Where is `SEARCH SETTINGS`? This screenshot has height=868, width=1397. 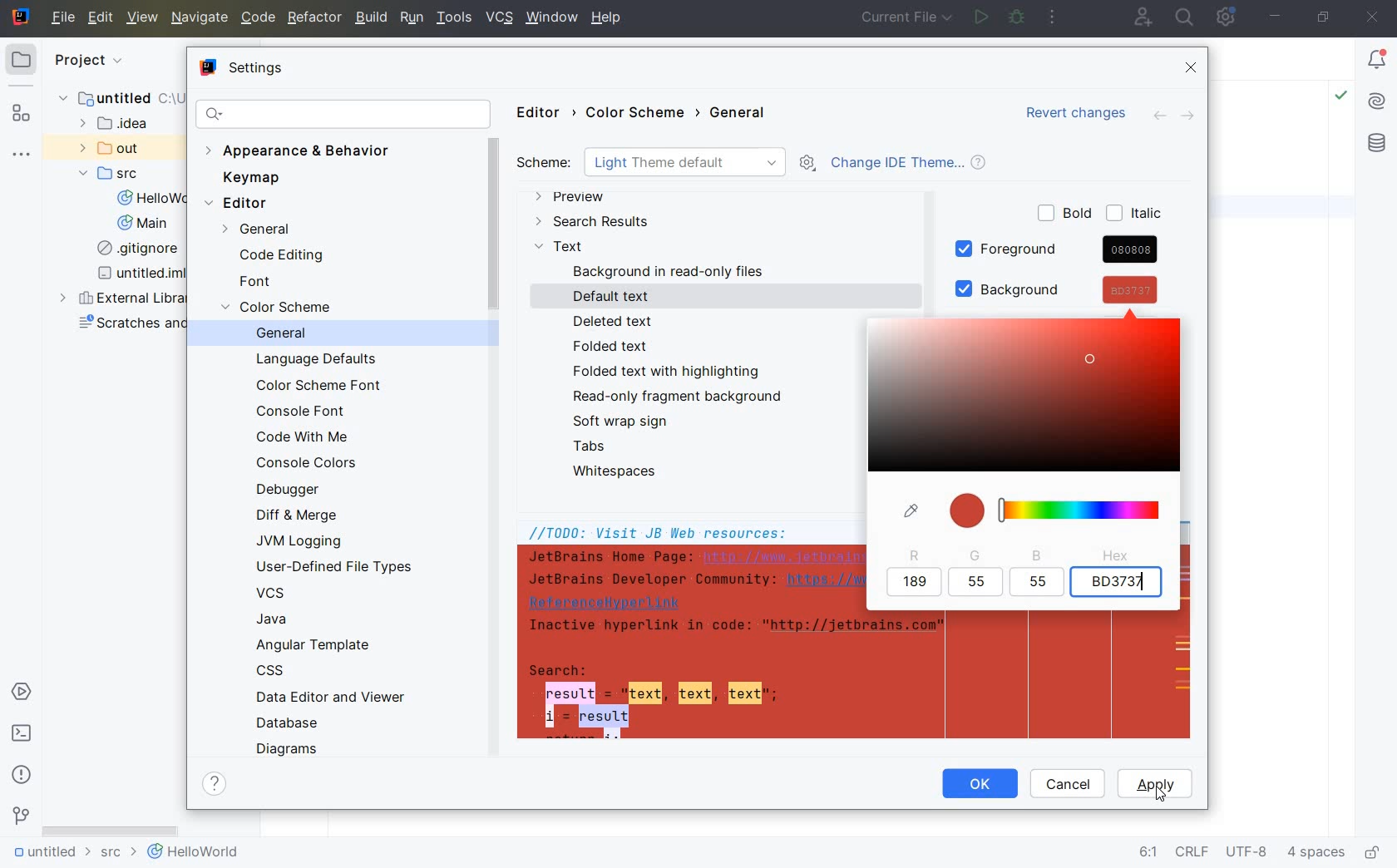 SEARCH SETTINGS is located at coordinates (343, 113).